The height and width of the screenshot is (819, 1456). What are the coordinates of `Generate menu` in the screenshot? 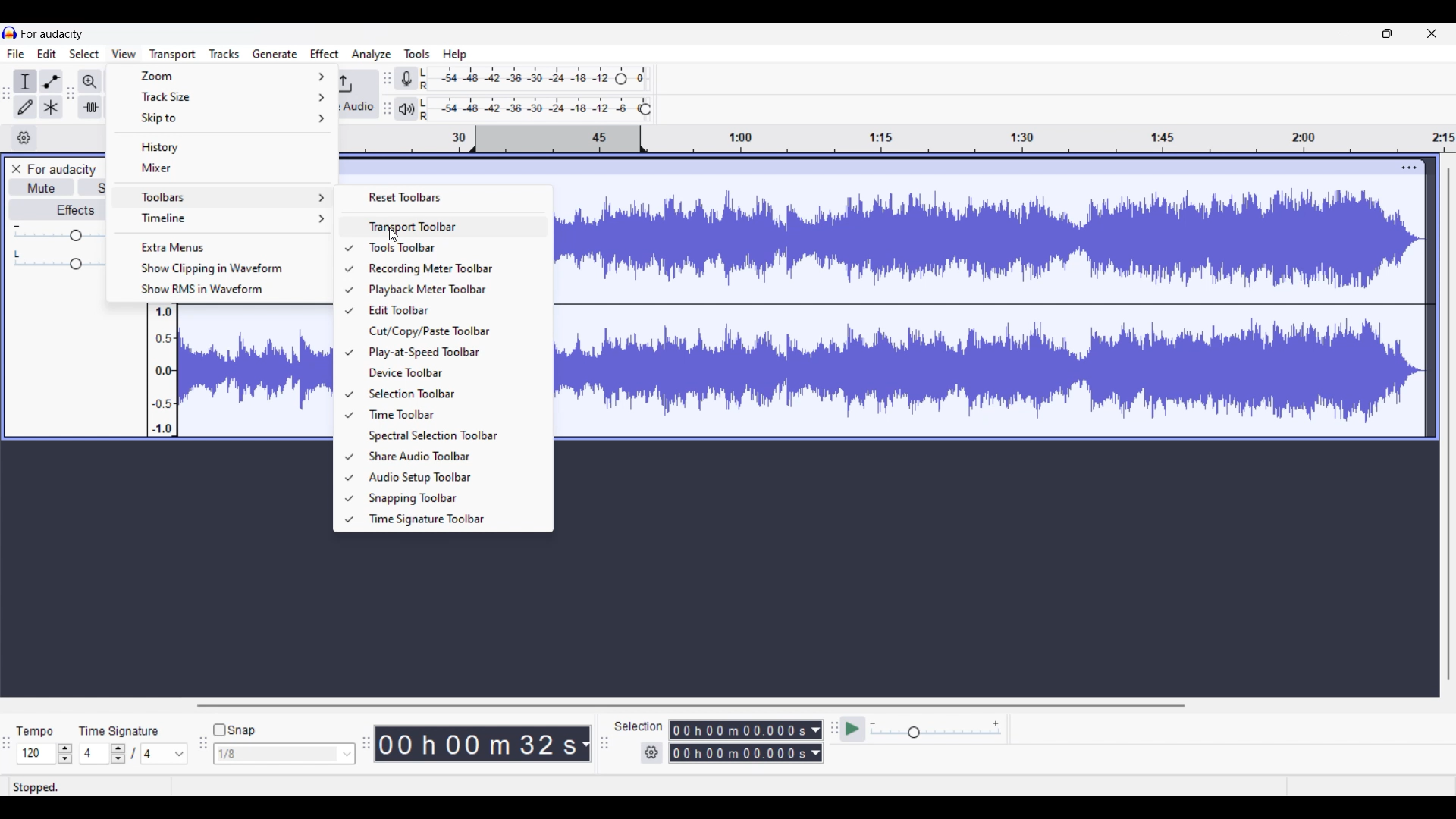 It's located at (275, 54).